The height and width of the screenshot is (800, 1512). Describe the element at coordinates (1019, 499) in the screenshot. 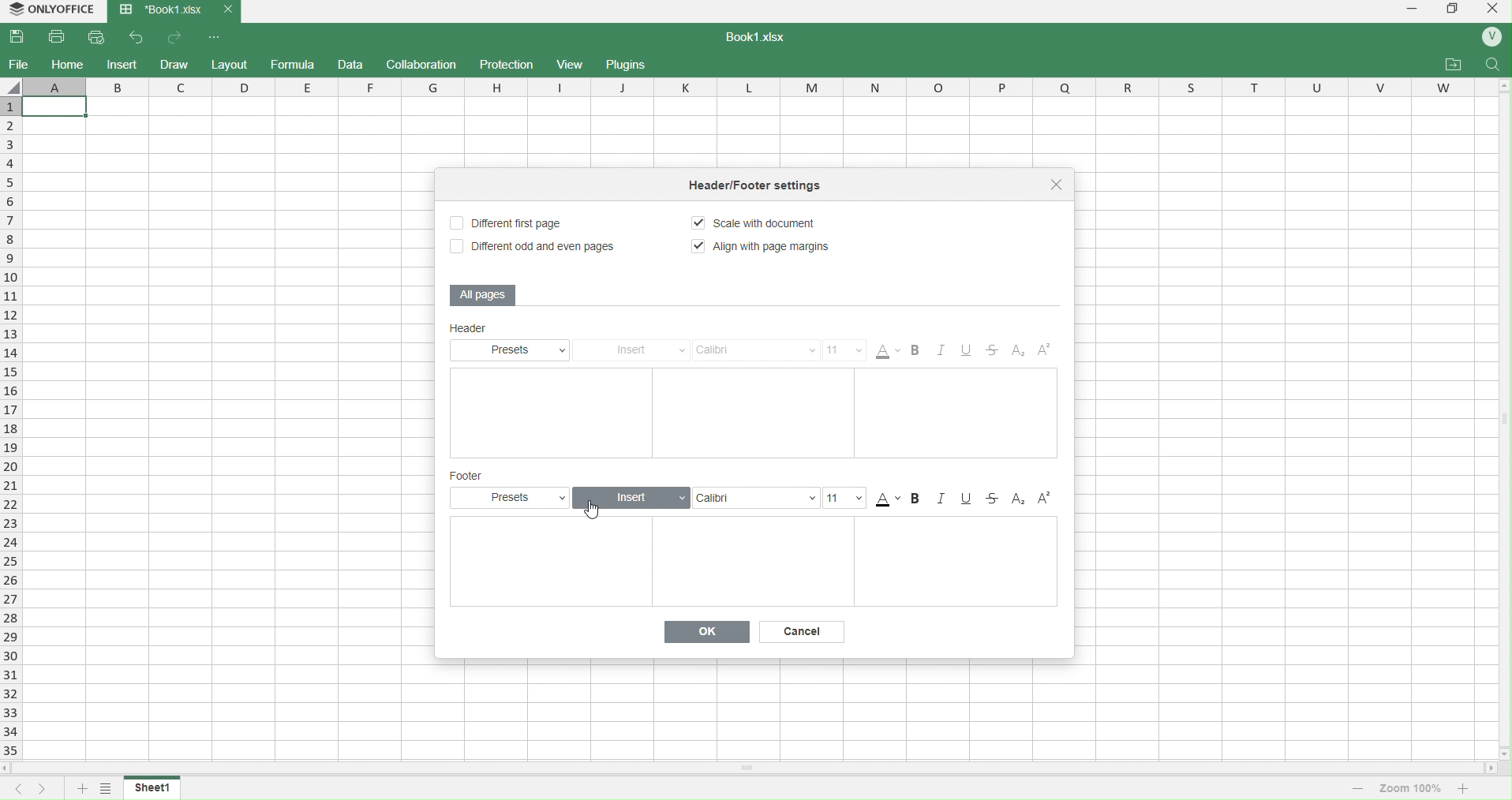

I see `SubScript` at that location.